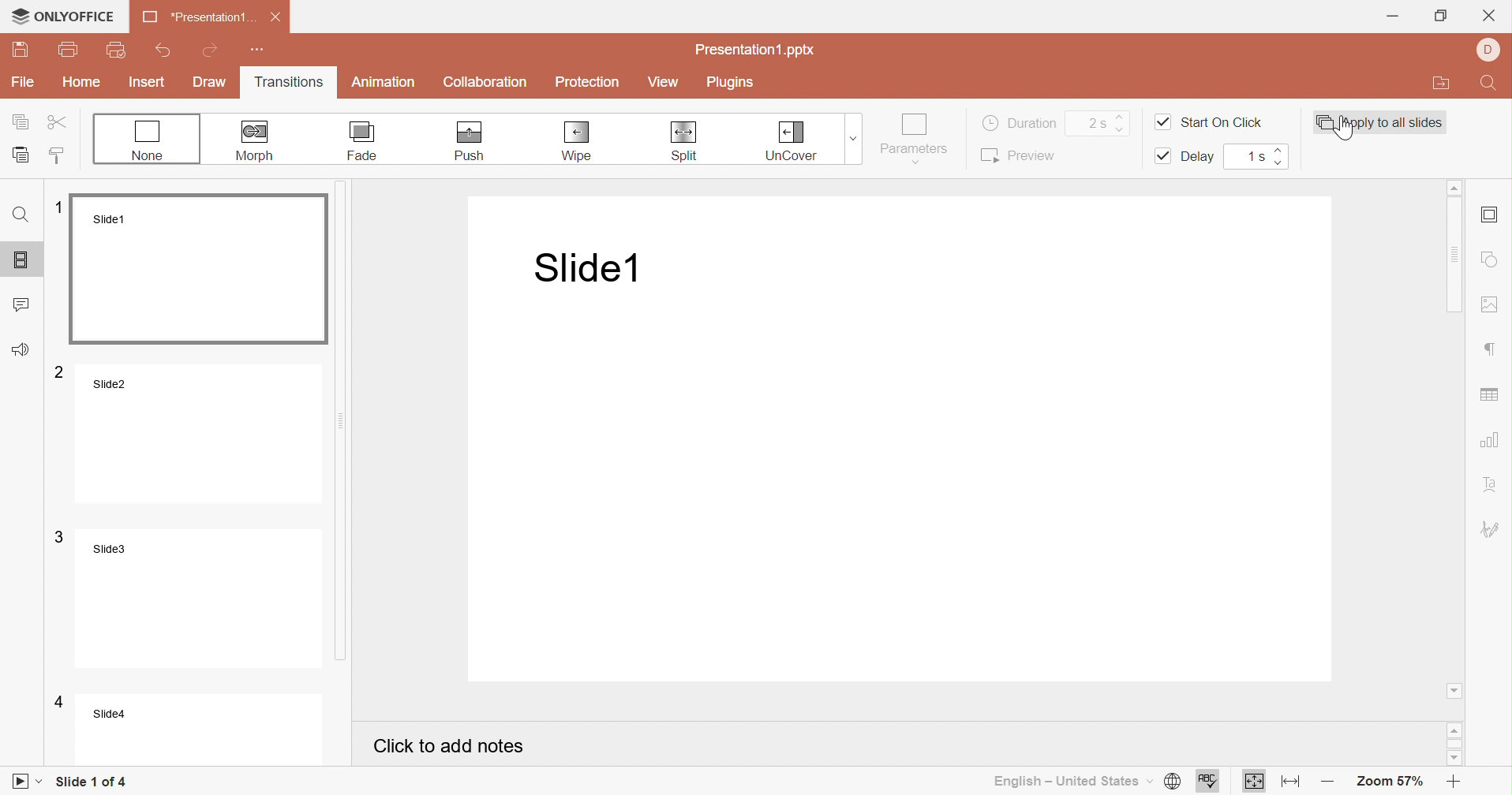 The image size is (1512, 795). Describe the element at coordinates (1171, 782) in the screenshot. I see `Set document language` at that location.